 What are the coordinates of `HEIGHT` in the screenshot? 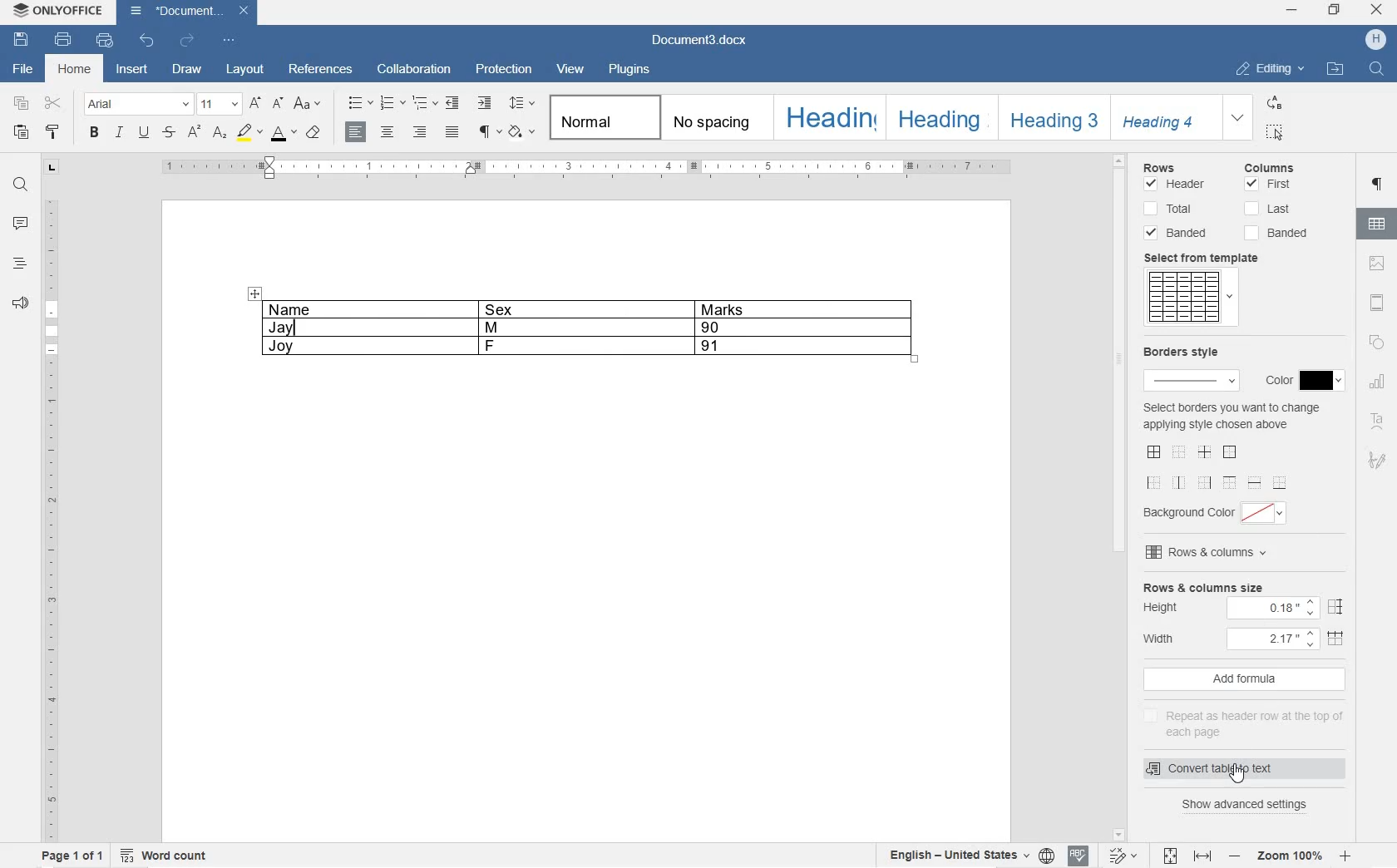 It's located at (1167, 609).